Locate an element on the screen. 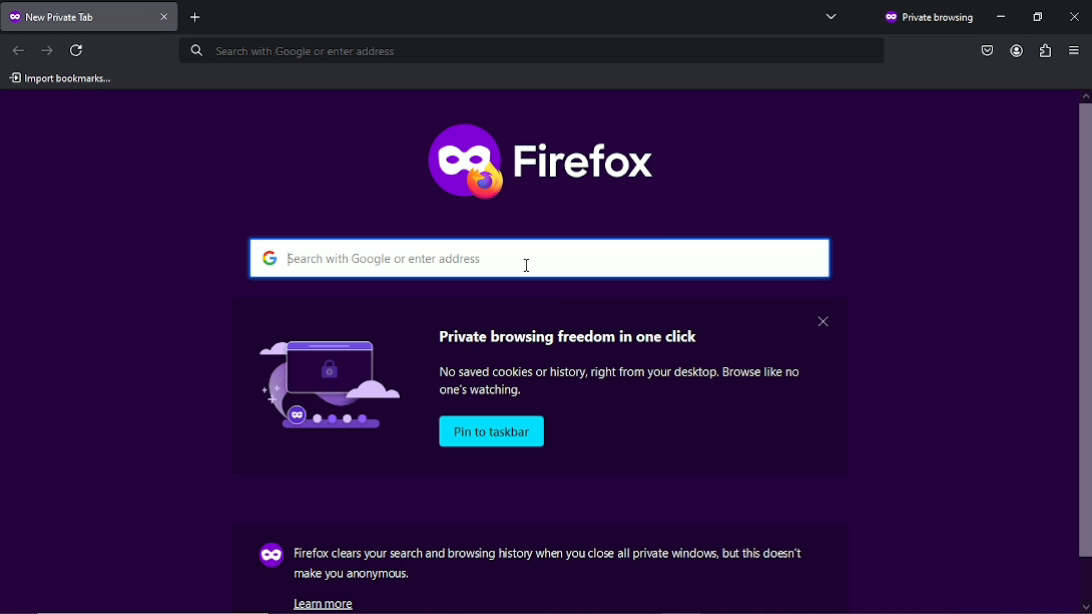 The image size is (1092, 614). add tab is located at coordinates (204, 16).